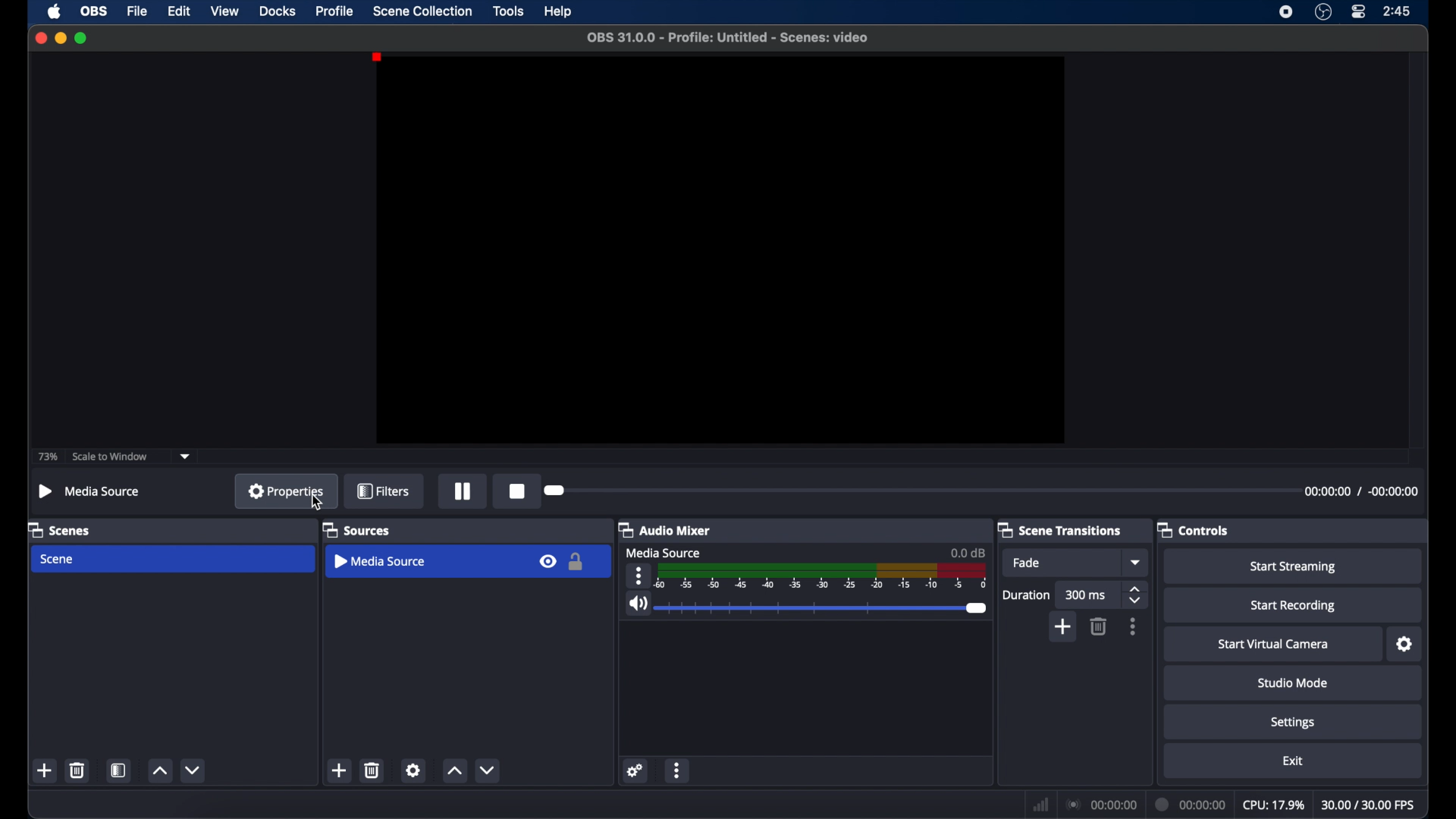 This screenshot has height=819, width=1456. Describe the element at coordinates (286, 491) in the screenshot. I see `properties` at that location.